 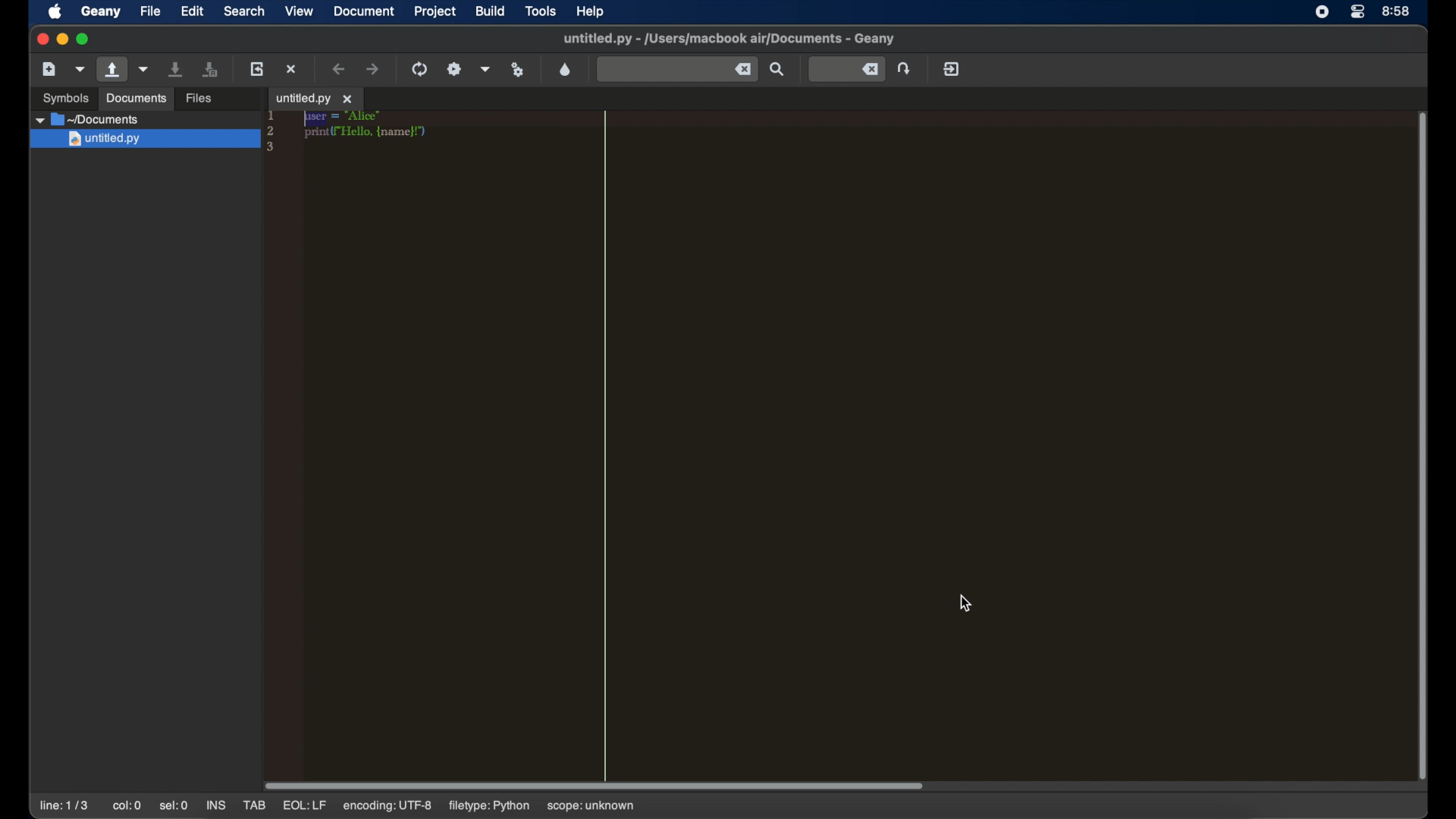 What do you see at coordinates (62, 39) in the screenshot?
I see `minimize` at bounding box center [62, 39].